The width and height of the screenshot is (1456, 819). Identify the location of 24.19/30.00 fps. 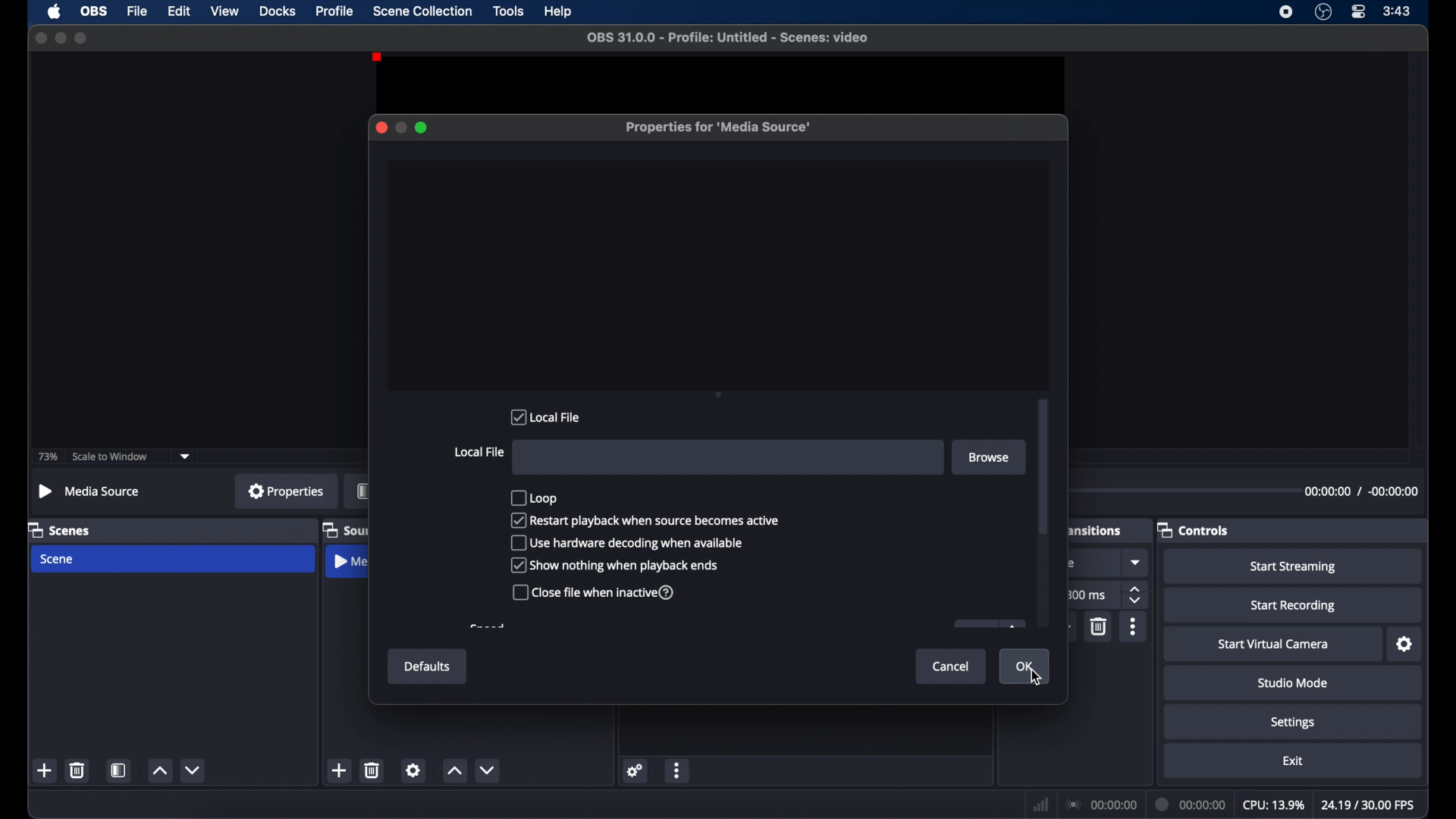
(1369, 805).